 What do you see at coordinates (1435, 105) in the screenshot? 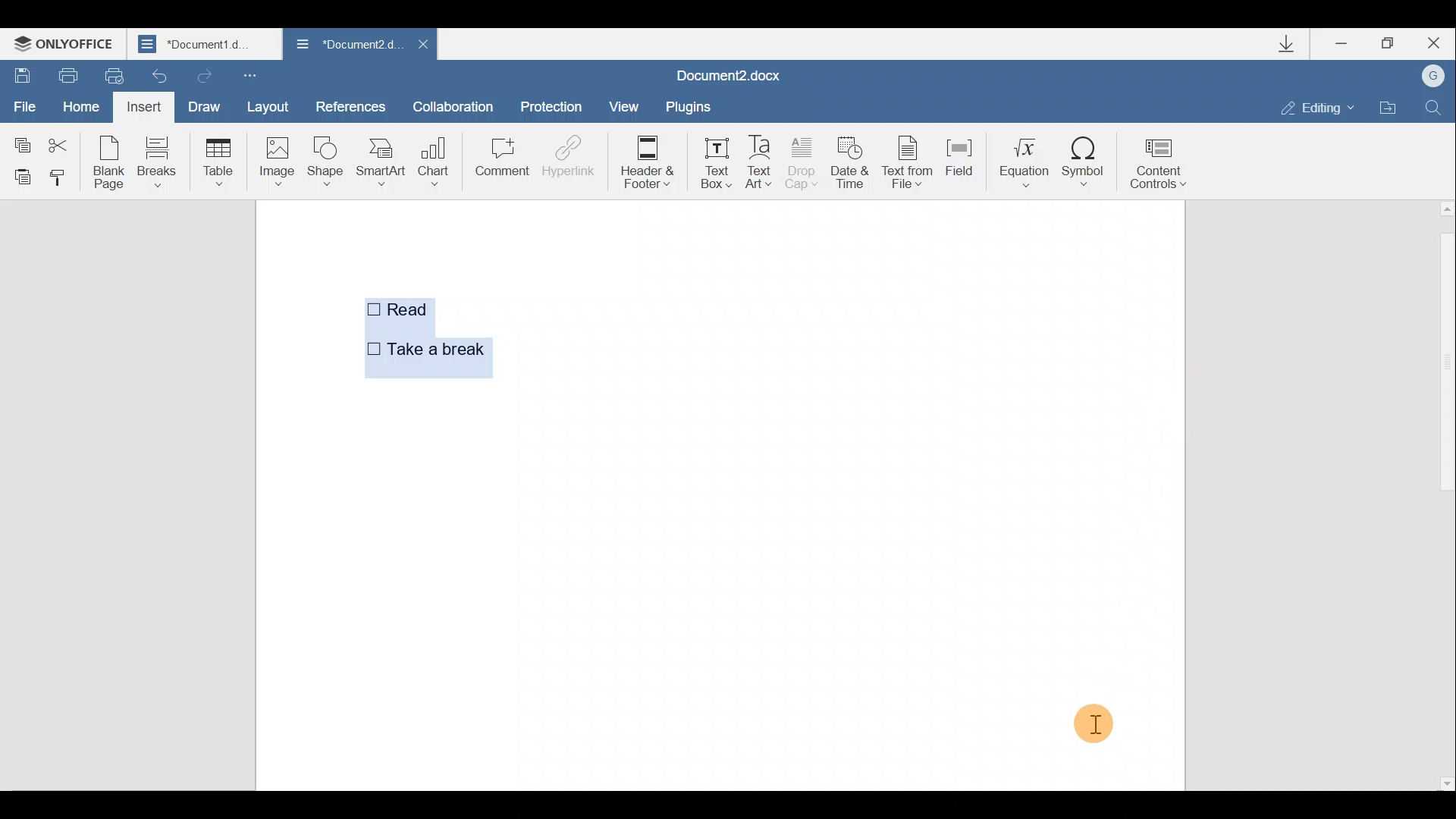
I see `Find` at bounding box center [1435, 105].